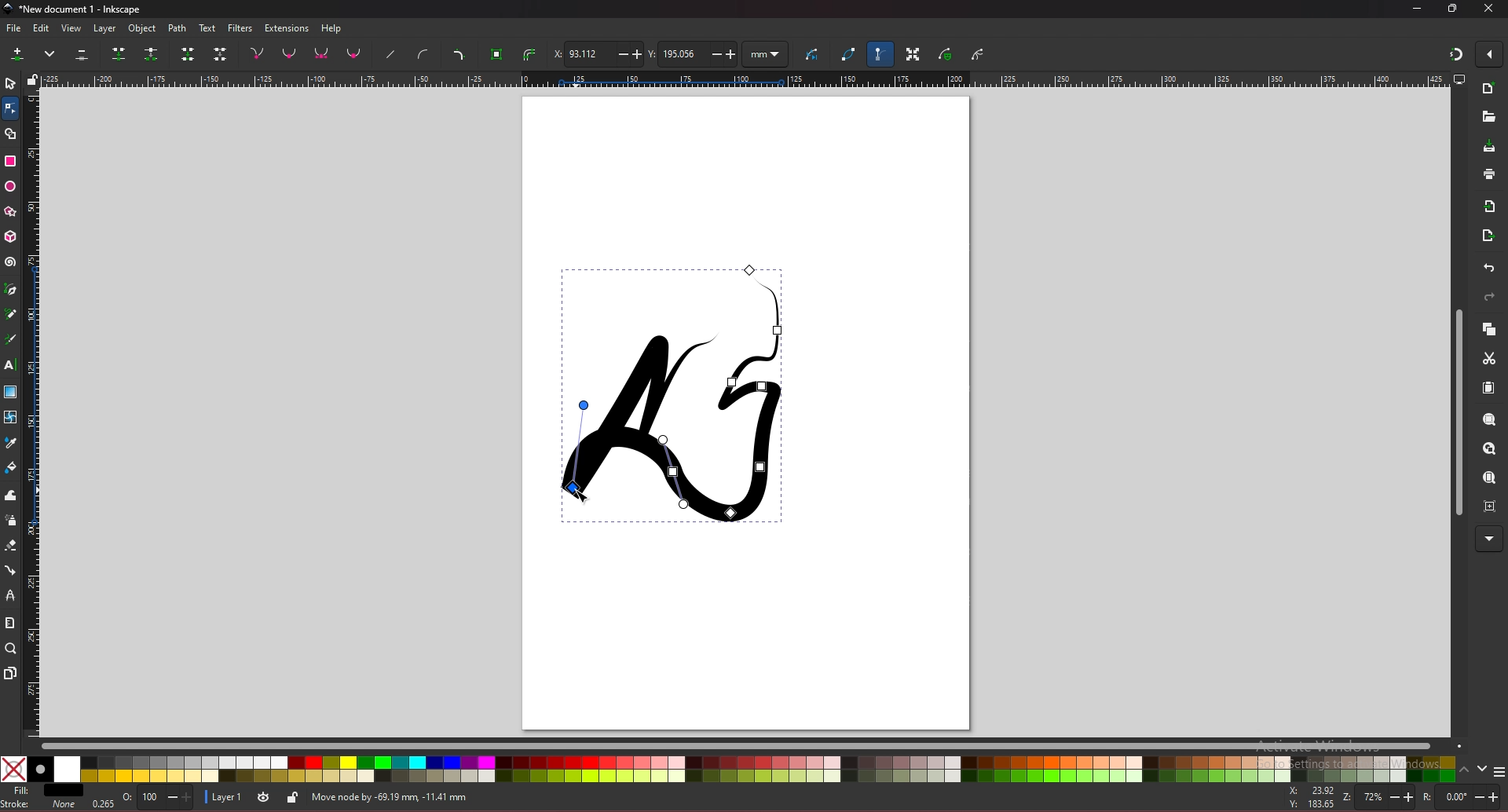  I want to click on toggle lock, so click(294, 797).